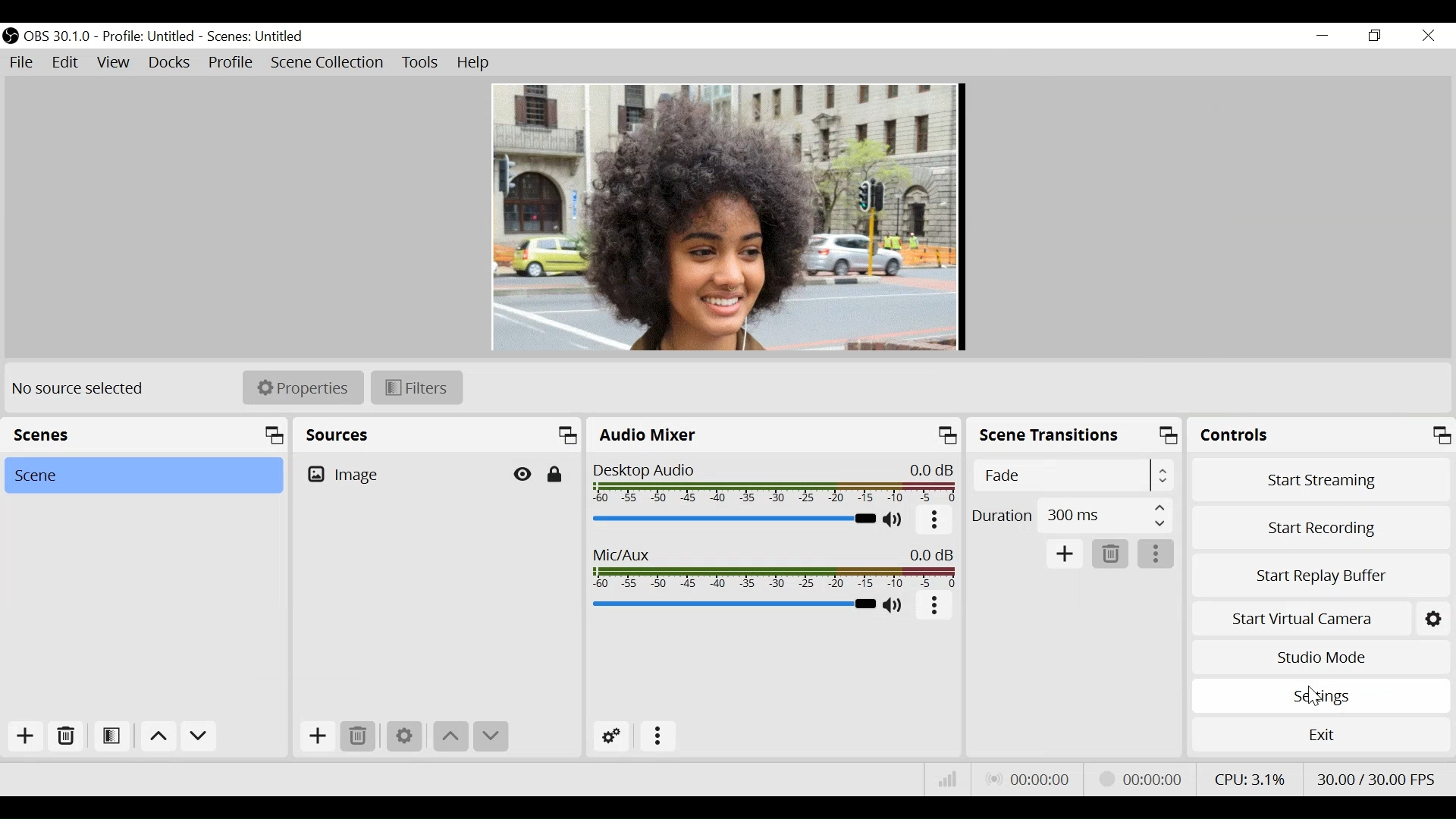 Image resolution: width=1456 pixels, height=819 pixels. What do you see at coordinates (24, 63) in the screenshot?
I see `File` at bounding box center [24, 63].